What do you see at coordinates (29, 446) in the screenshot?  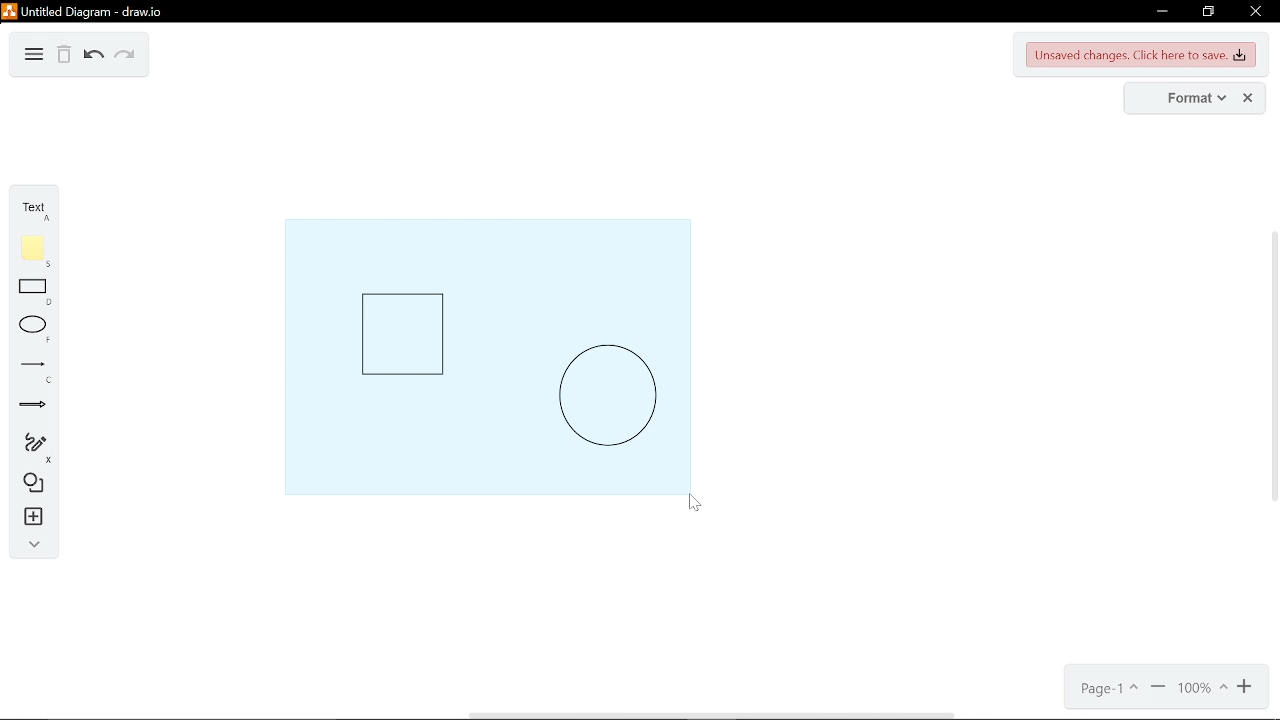 I see `freehand` at bounding box center [29, 446].